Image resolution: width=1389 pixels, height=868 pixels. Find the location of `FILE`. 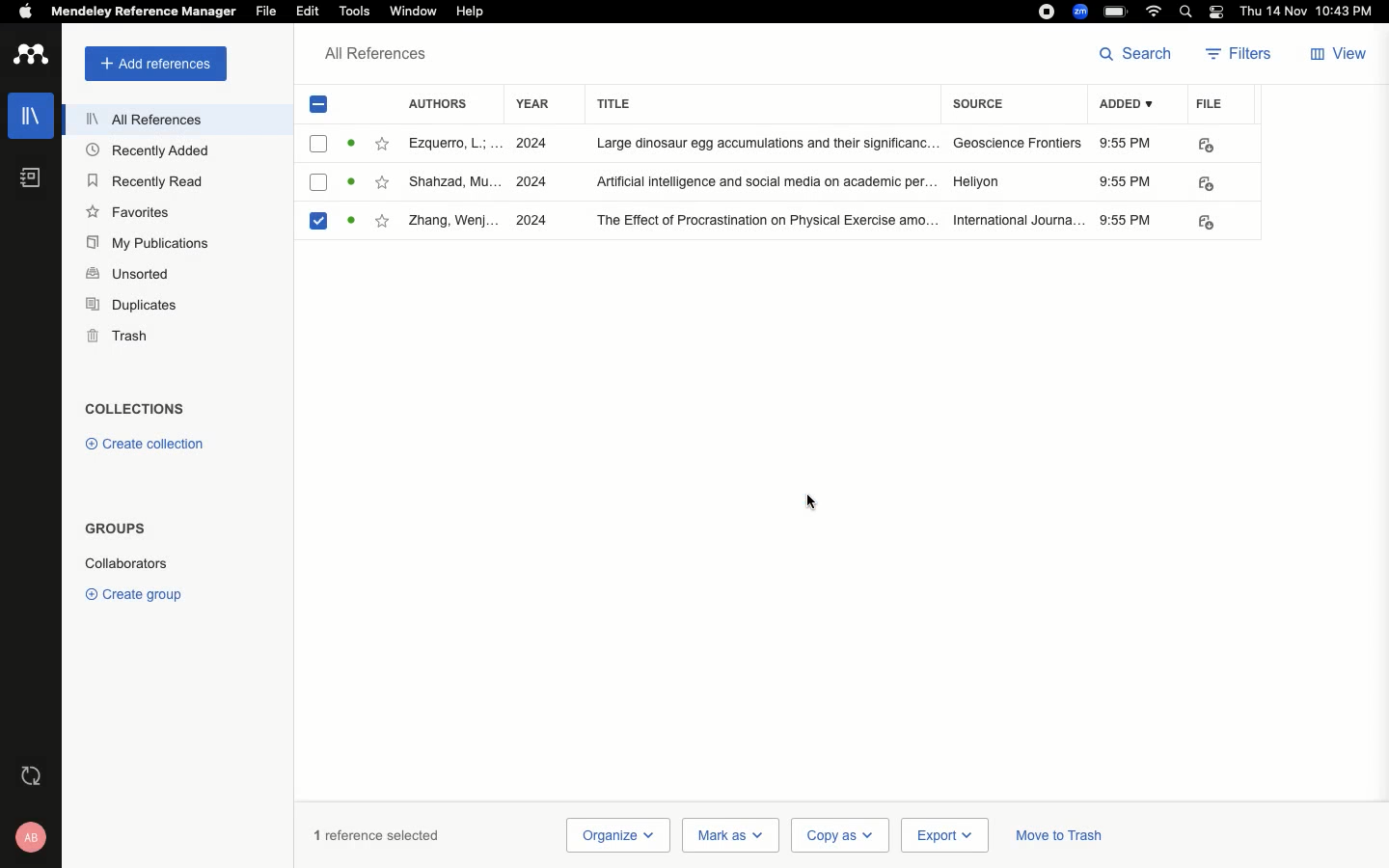

FILE is located at coordinates (1202, 183).